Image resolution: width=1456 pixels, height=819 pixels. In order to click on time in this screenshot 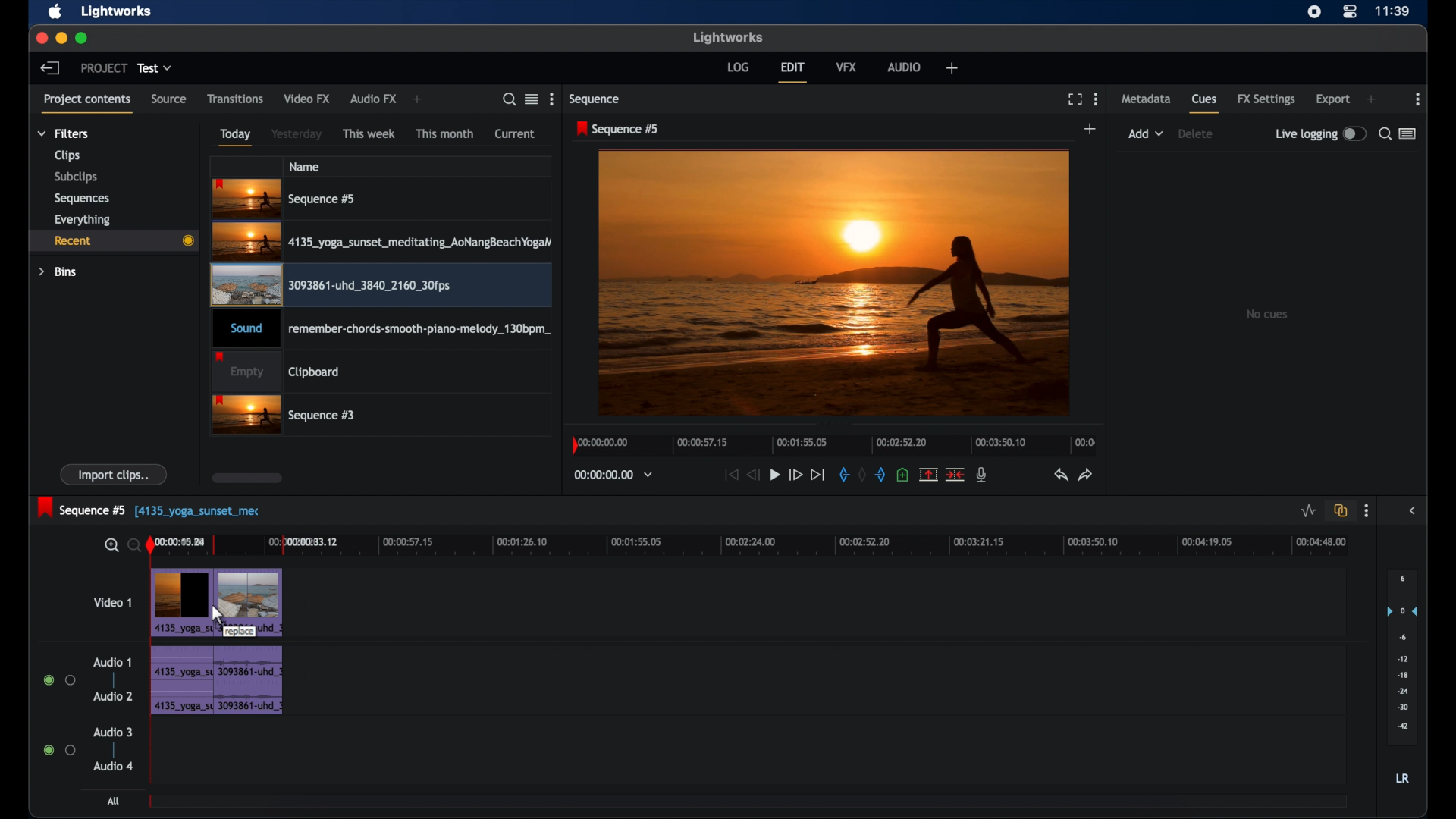, I will do `click(1392, 11)`.